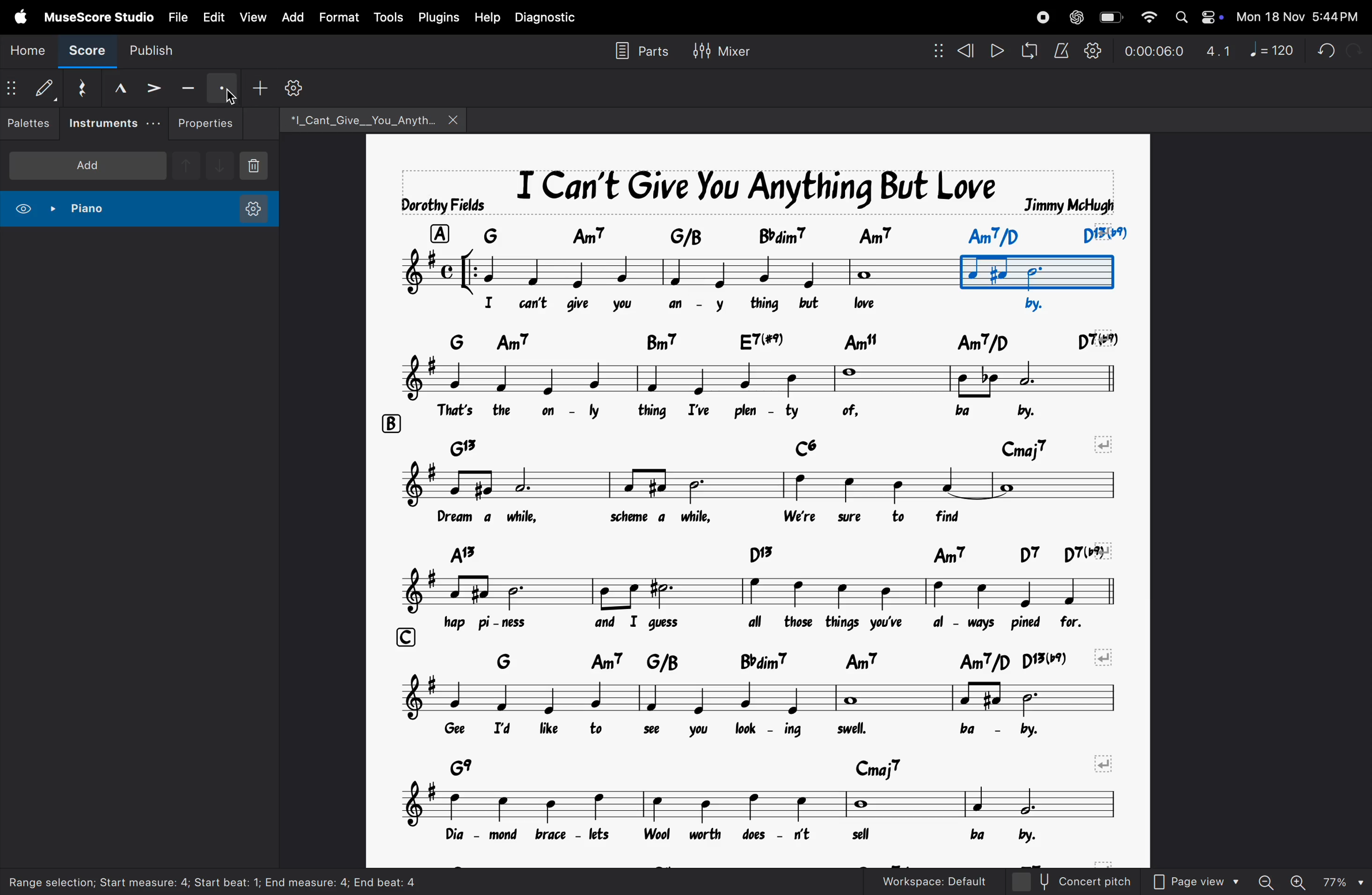 The image size is (1372, 895). What do you see at coordinates (295, 17) in the screenshot?
I see `add` at bounding box center [295, 17].